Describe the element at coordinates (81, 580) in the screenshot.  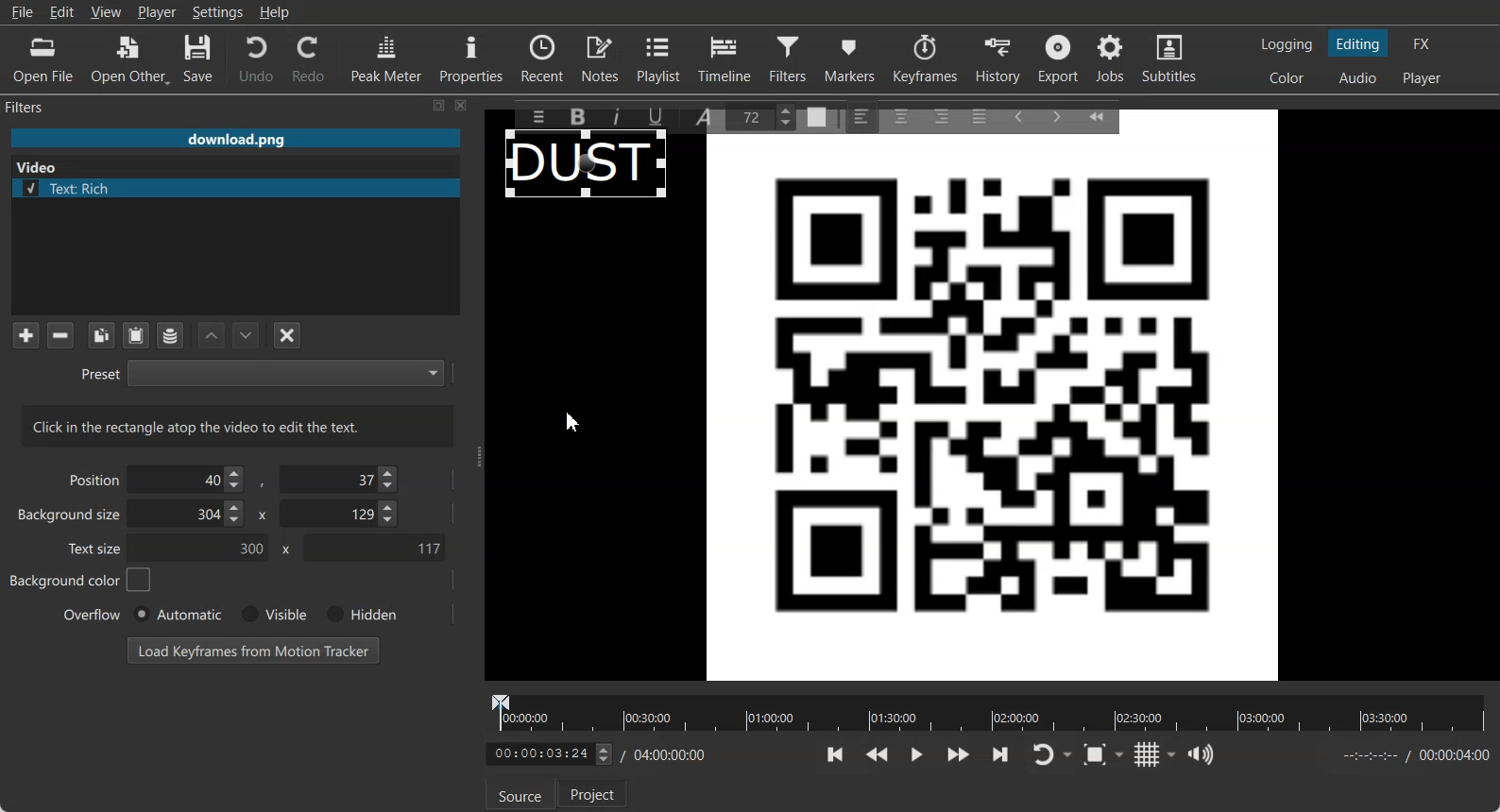
I see `Background color` at that location.